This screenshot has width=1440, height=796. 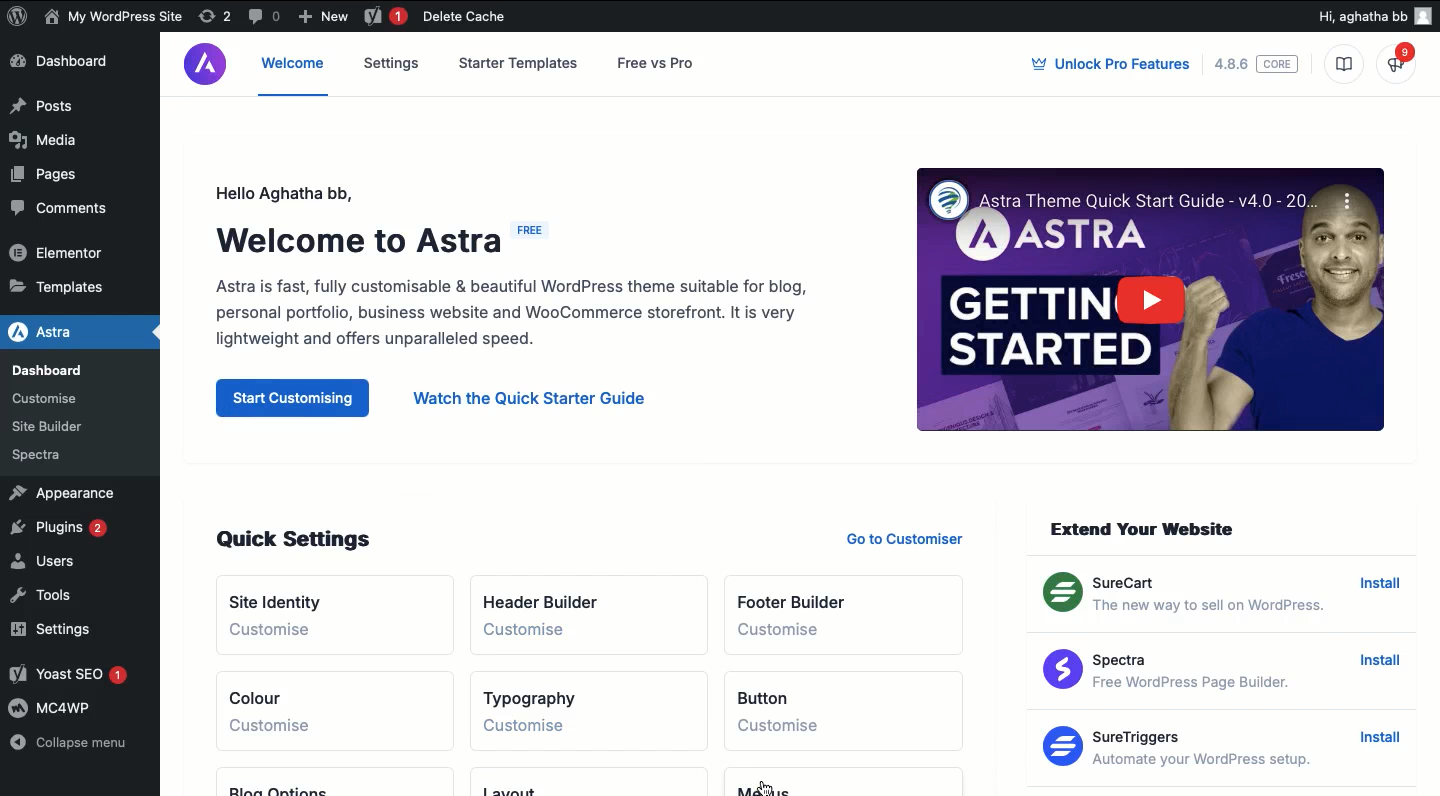 What do you see at coordinates (1346, 66) in the screenshot?
I see `Knowledge base` at bounding box center [1346, 66].